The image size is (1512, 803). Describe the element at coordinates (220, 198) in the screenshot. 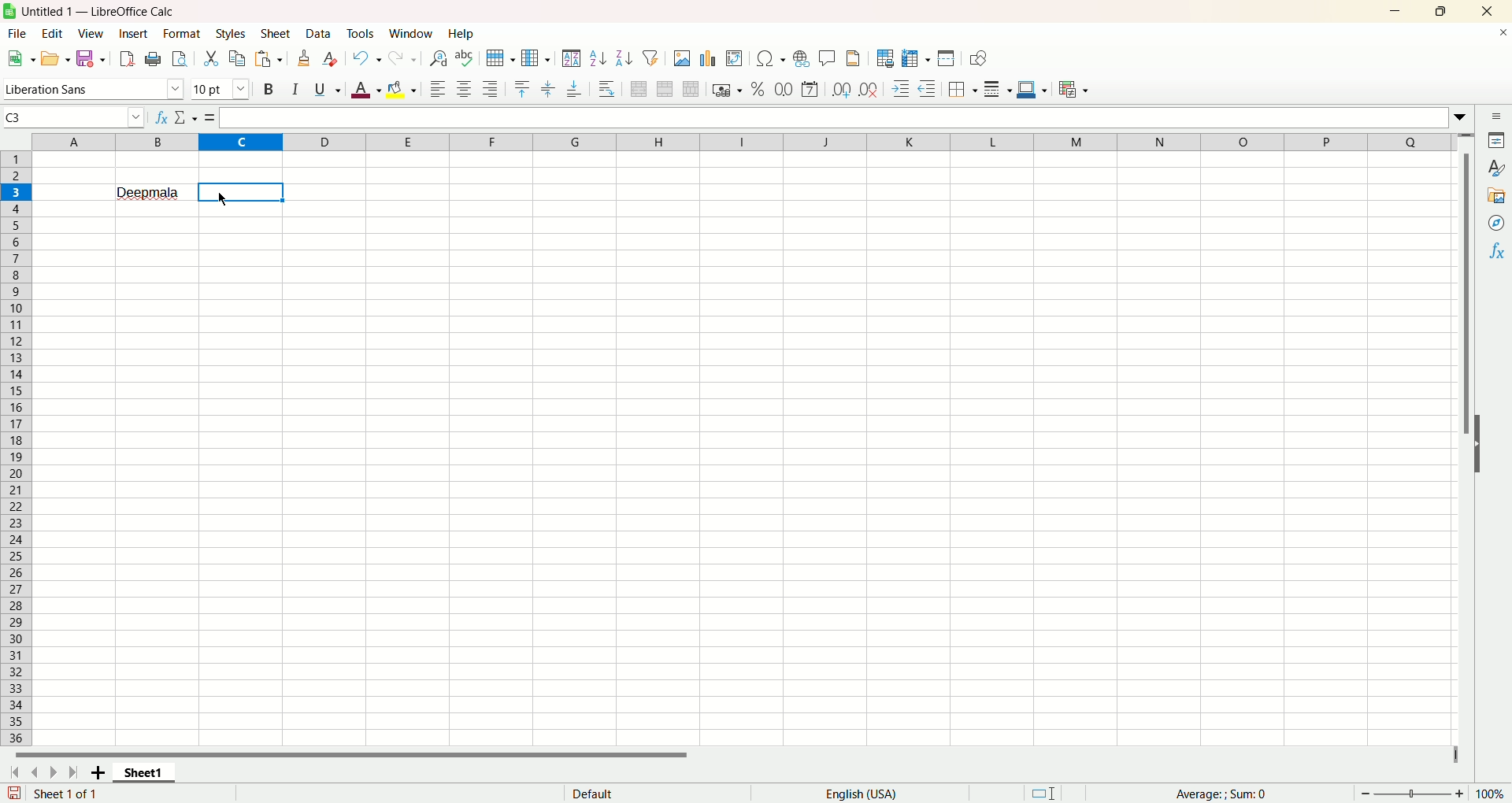

I see `cursor` at that location.